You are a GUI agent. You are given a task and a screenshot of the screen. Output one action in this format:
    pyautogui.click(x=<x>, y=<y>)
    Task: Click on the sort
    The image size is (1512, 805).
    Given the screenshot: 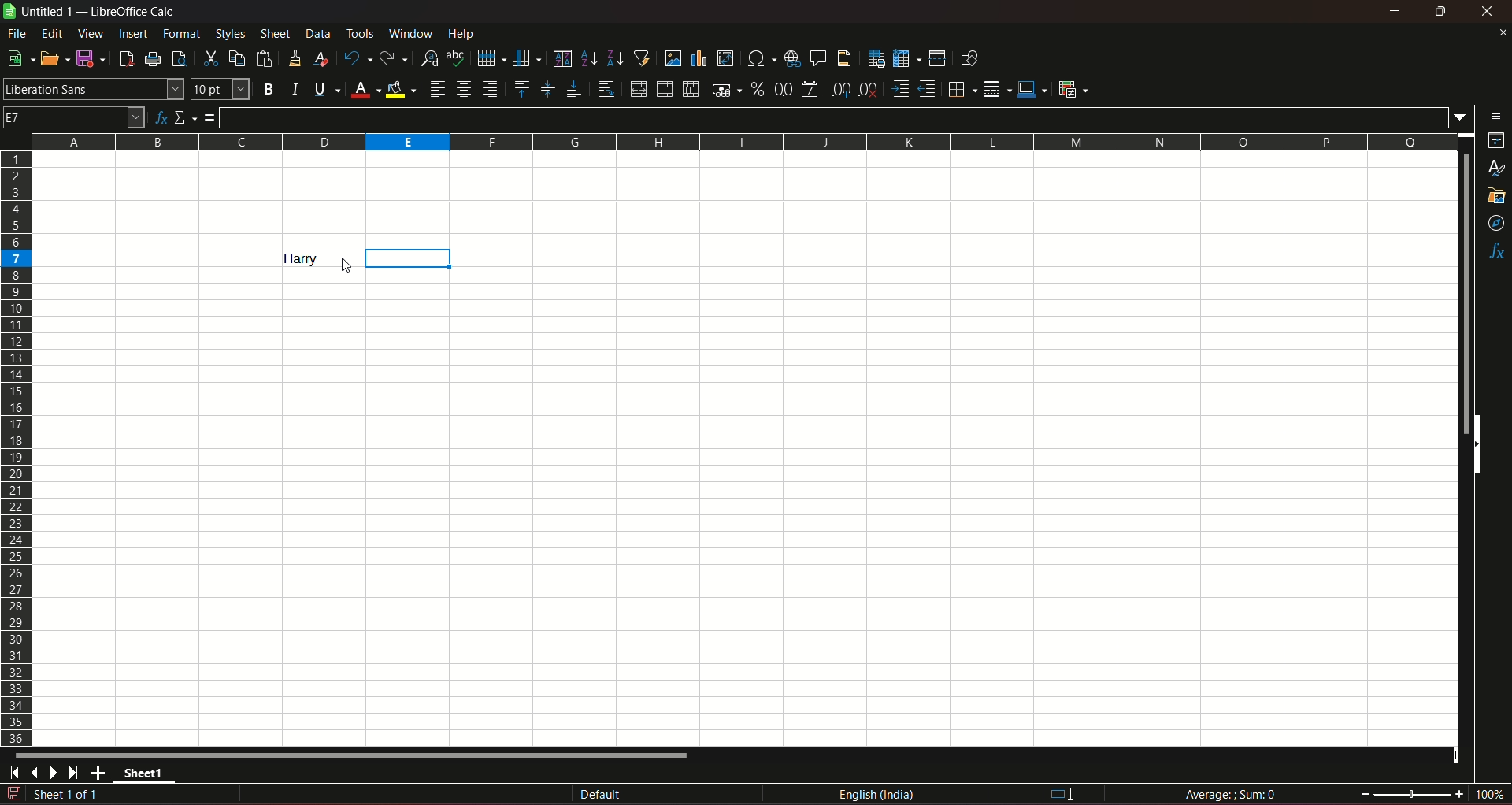 What is the action you would take?
    pyautogui.click(x=561, y=58)
    